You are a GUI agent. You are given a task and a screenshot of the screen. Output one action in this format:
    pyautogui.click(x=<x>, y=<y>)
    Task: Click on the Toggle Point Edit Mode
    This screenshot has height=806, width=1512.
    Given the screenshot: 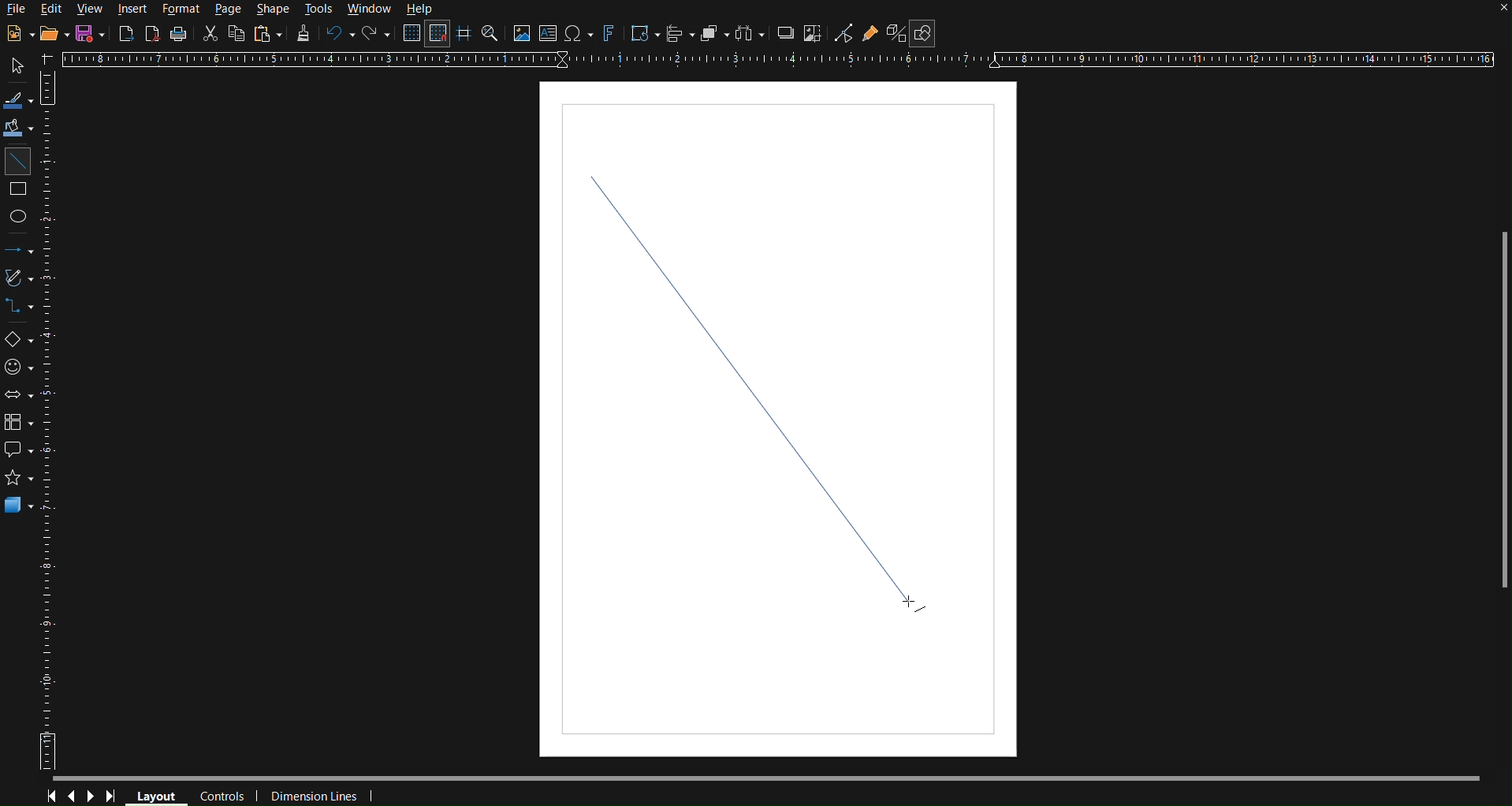 What is the action you would take?
    pyautogui.click(x=844, y=32)
    